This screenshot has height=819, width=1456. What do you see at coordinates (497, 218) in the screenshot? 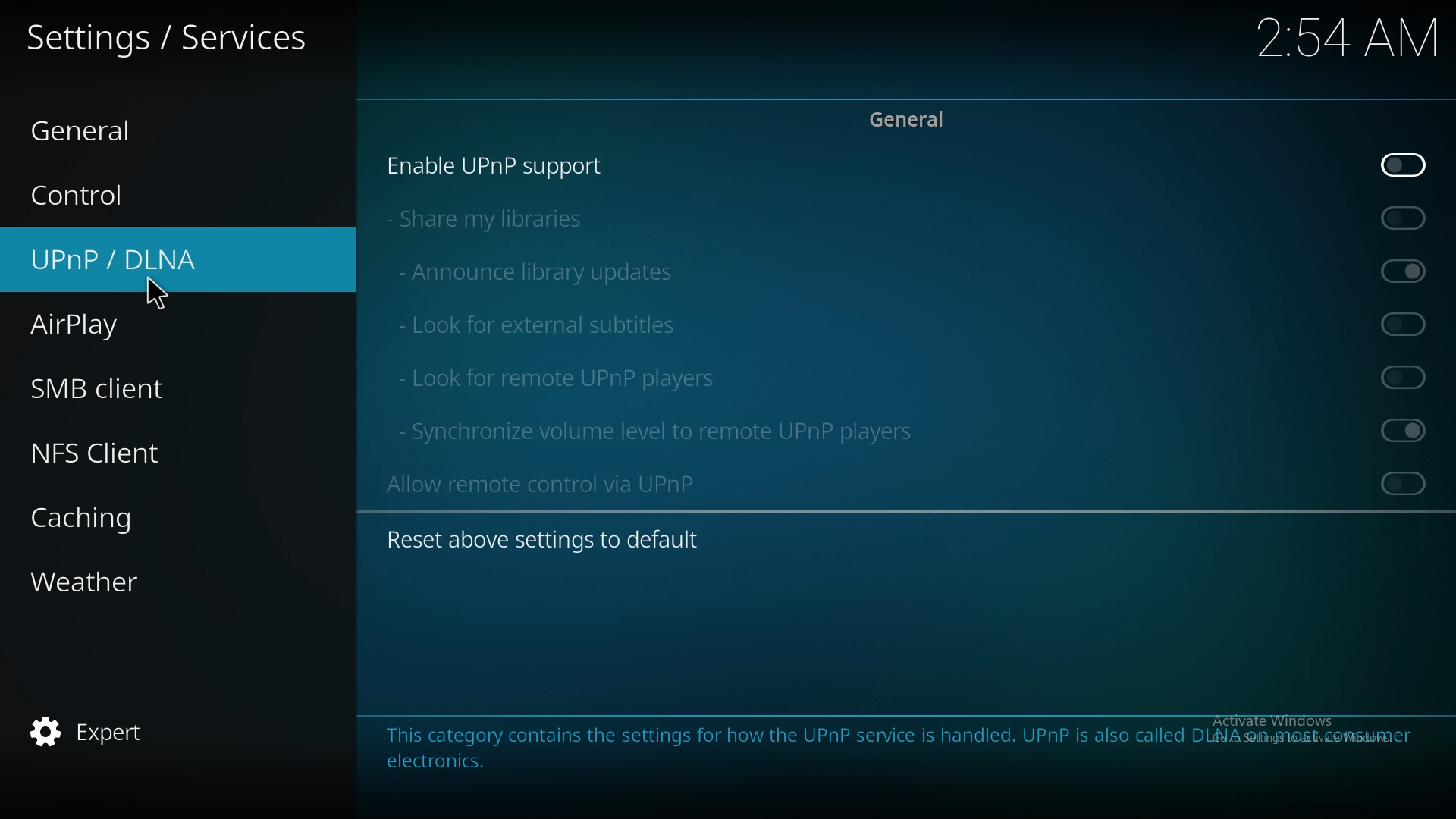
I see `share my libraries` at bounding box center [497, 218].